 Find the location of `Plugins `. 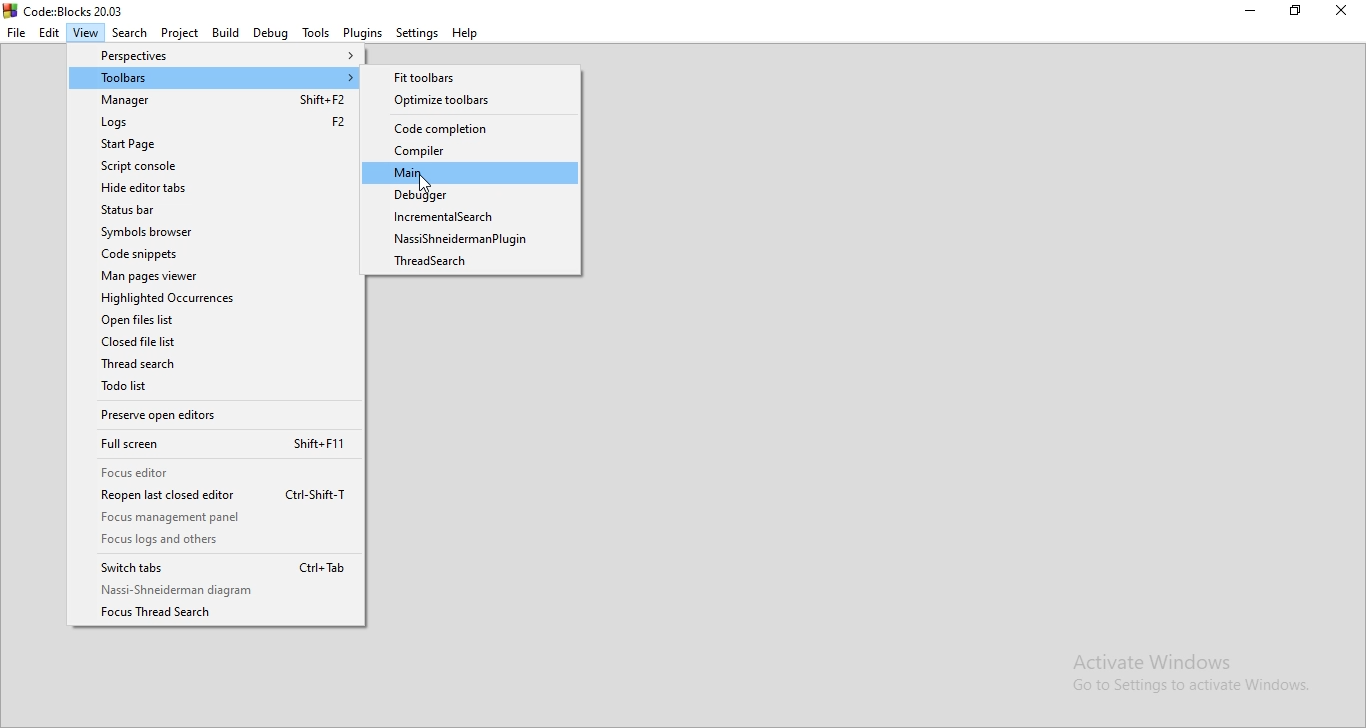

Plugins  is located at coordinates (363, 32).